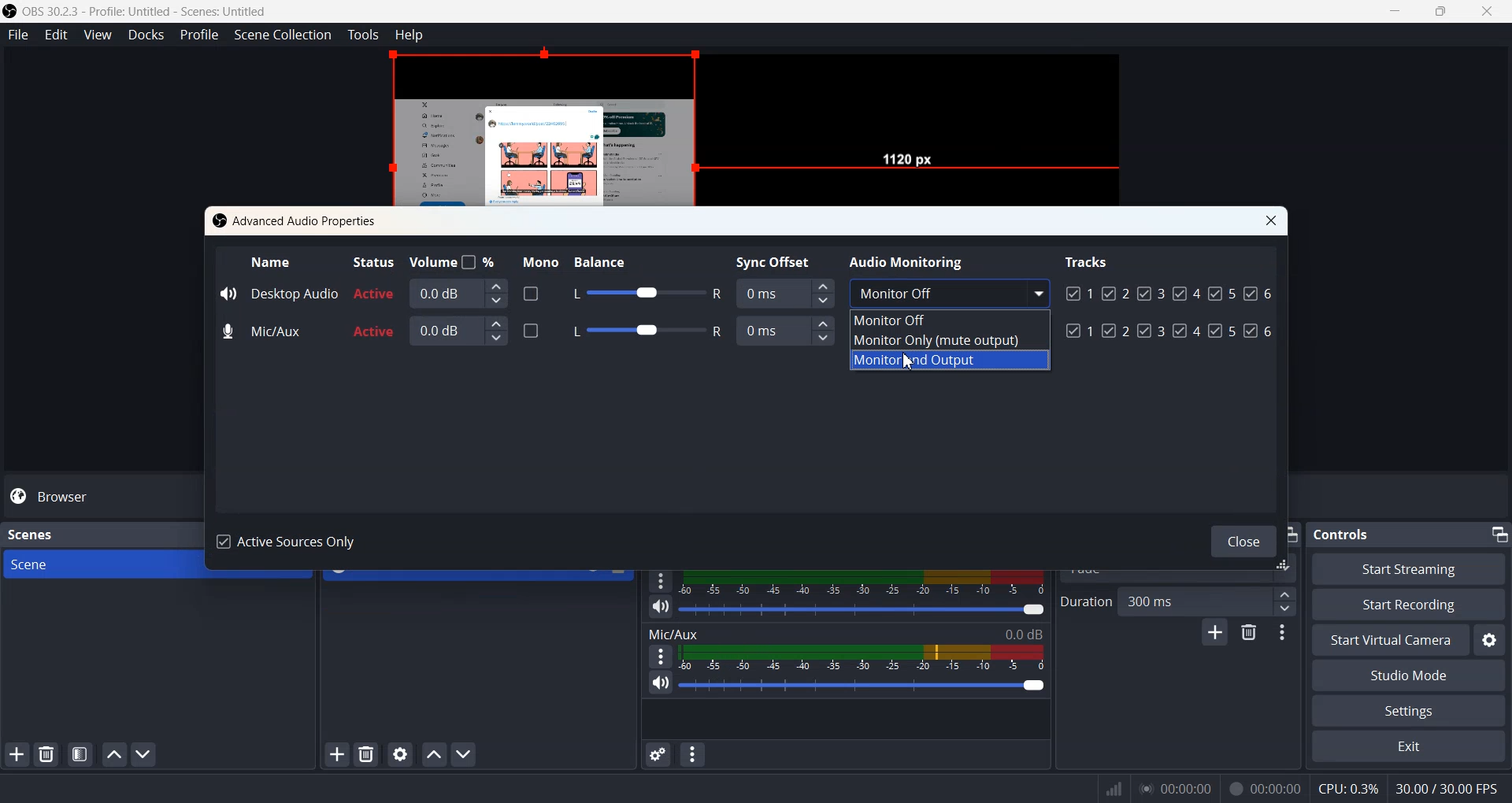 This screenshot has height=803, width=1512. Describe the element at coordinates (374, 313) in the screenshot. I see `Active` at that location.